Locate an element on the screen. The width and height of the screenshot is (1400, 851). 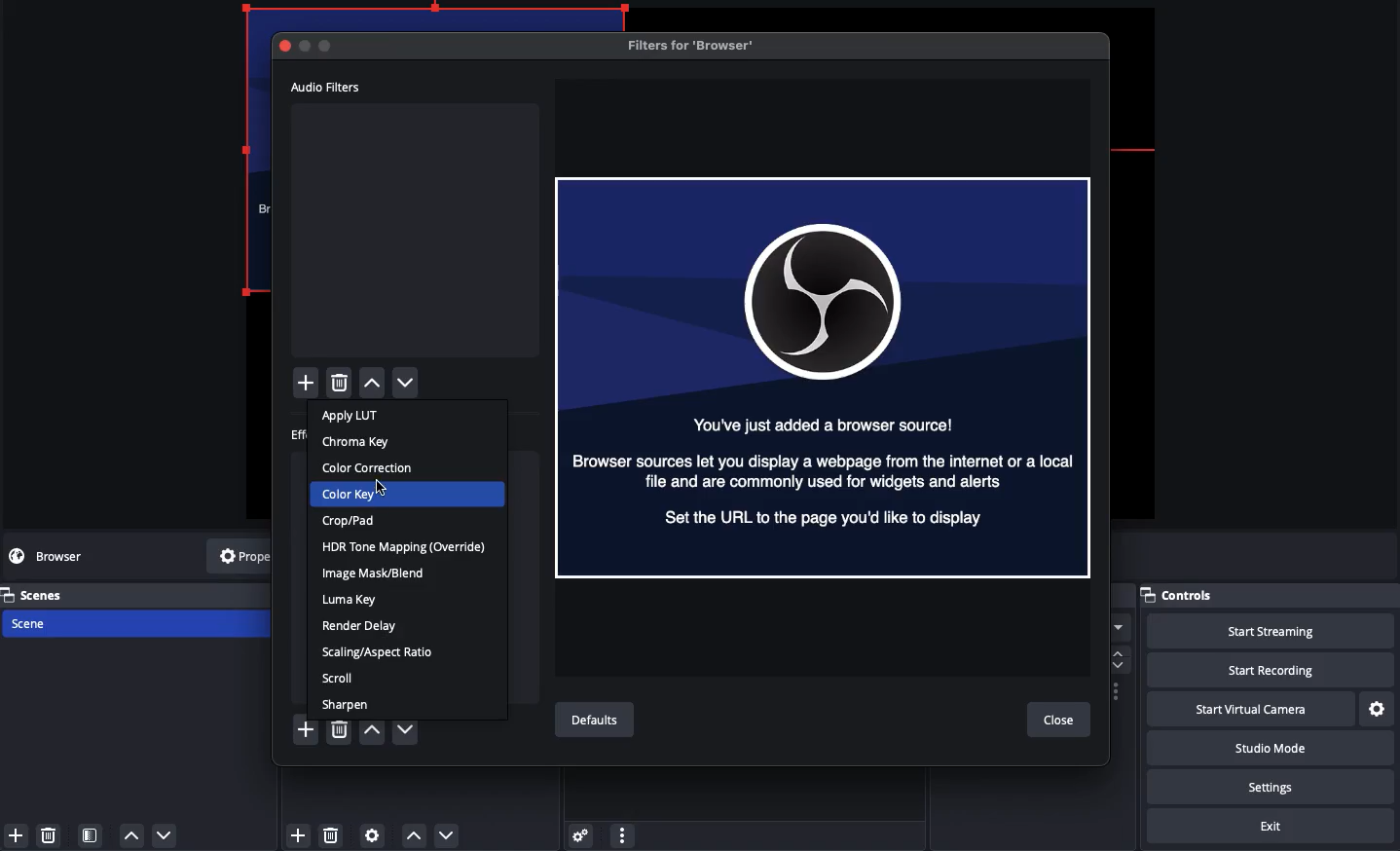
up is located at coordinates (374, 728).